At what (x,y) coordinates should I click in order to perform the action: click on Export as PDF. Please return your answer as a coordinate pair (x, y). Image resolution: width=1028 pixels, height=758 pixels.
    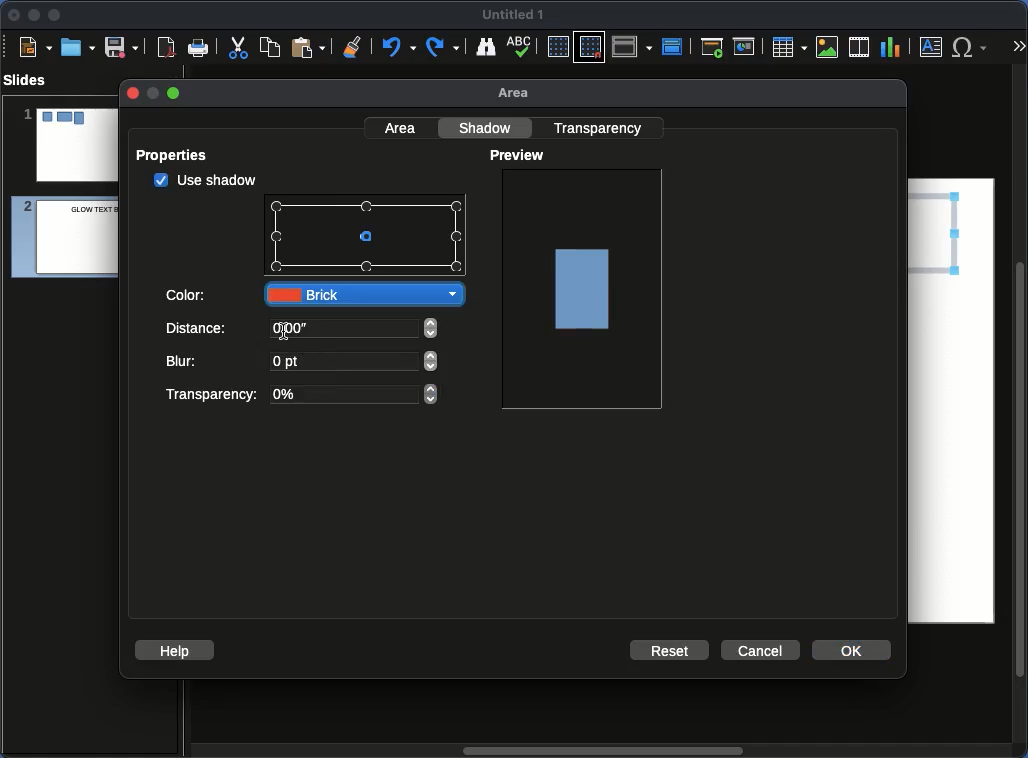
    Looking at the image, I should click on (166, 48).